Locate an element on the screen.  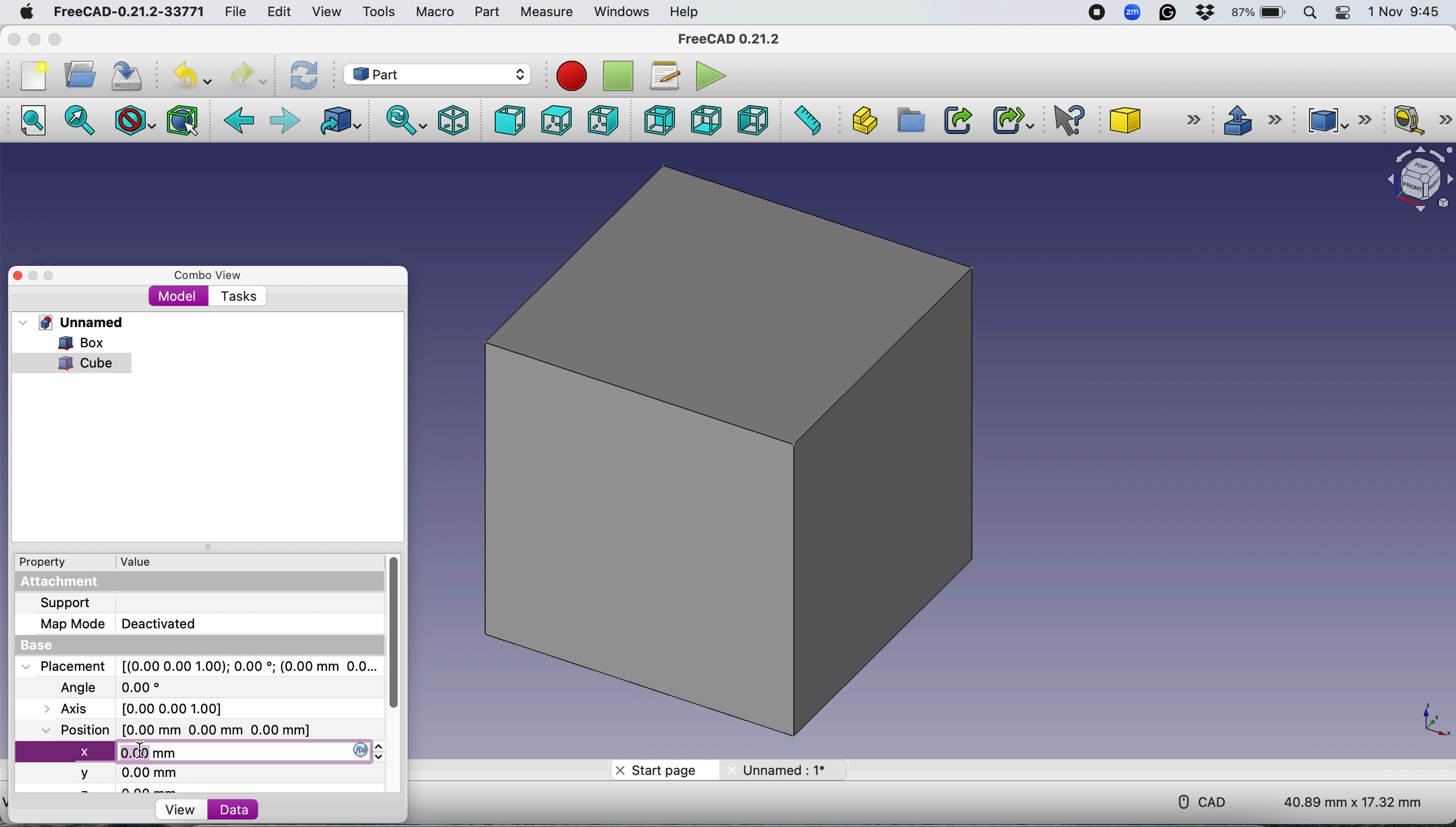
Start page is located at coordinates (661, 771).